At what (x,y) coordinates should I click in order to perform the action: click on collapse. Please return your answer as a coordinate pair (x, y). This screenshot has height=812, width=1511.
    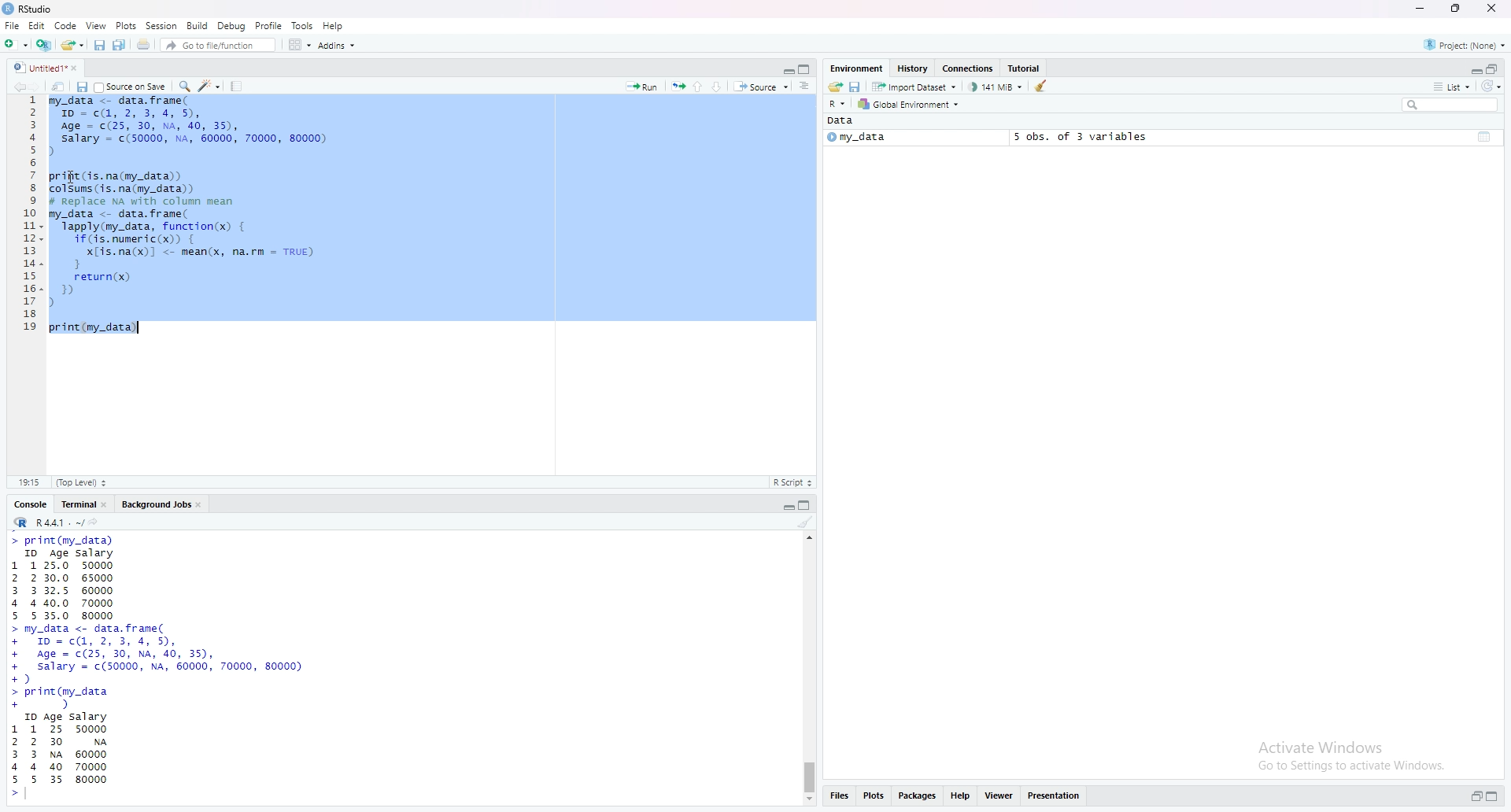
    Looking at the image, I should click on (1494, 69).